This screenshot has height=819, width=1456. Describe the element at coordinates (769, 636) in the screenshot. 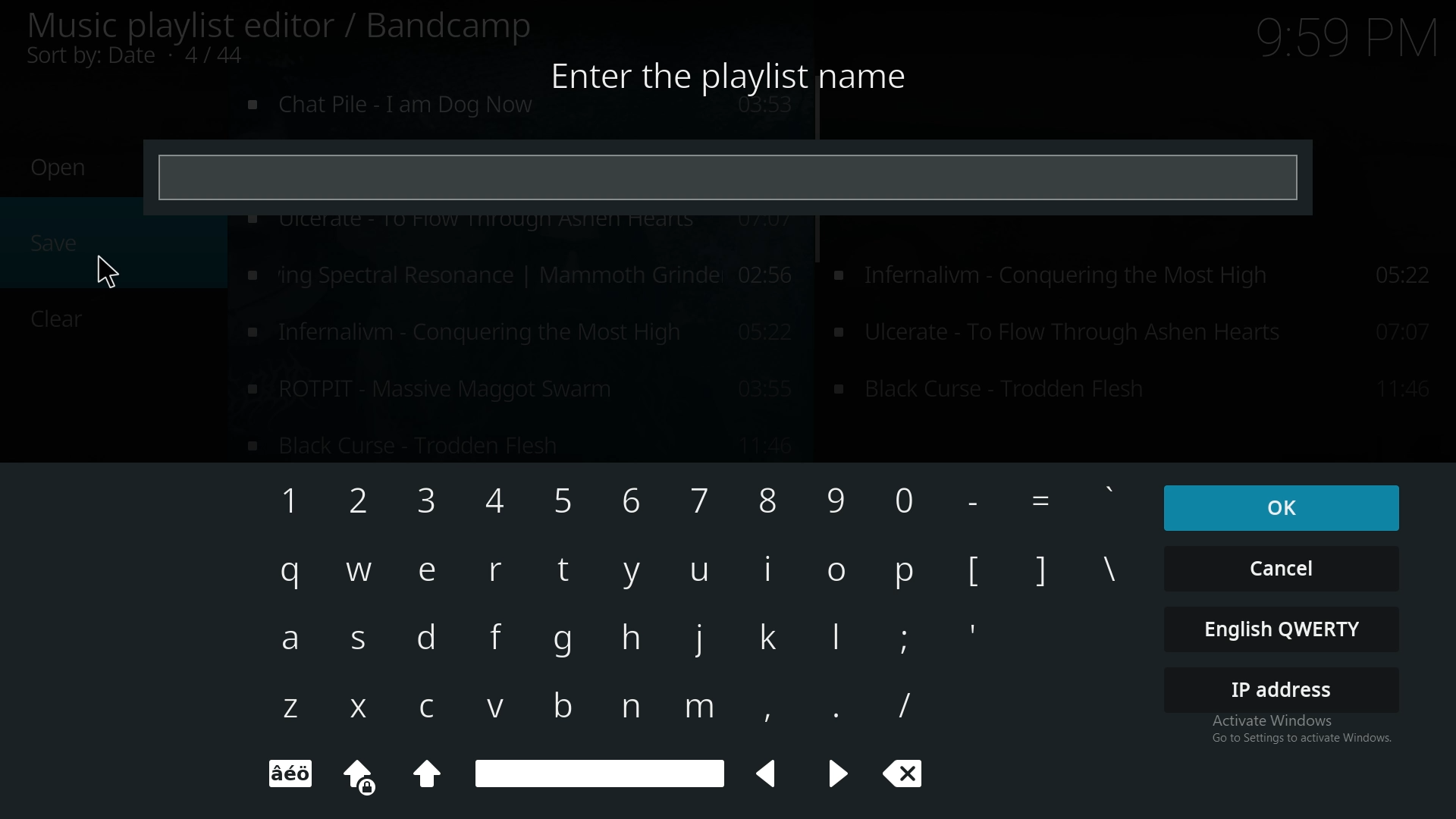

I see `keyboard input` at that location.